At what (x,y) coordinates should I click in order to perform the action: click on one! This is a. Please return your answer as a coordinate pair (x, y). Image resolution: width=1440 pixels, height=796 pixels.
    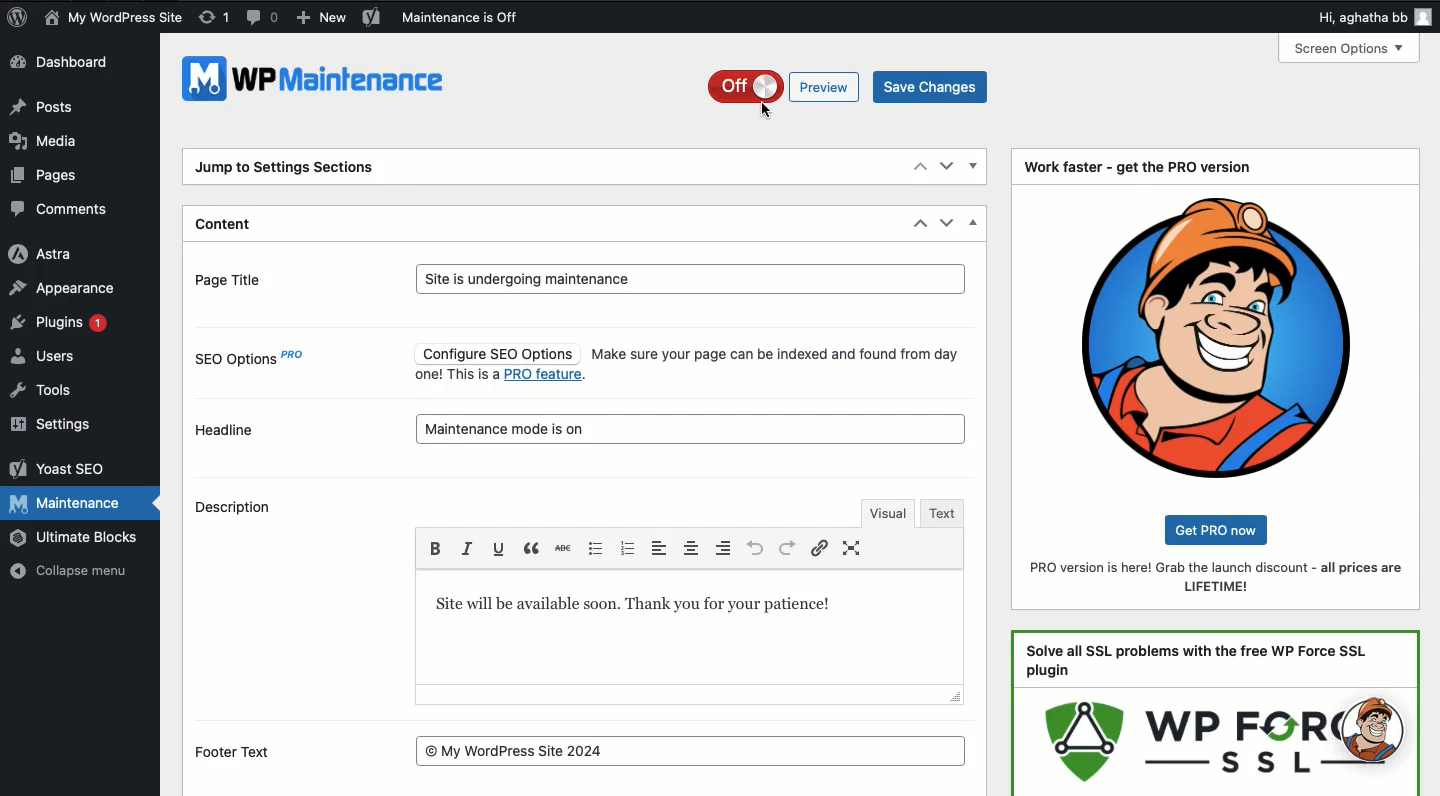
    Looking at the image, I should click on (456, 375).